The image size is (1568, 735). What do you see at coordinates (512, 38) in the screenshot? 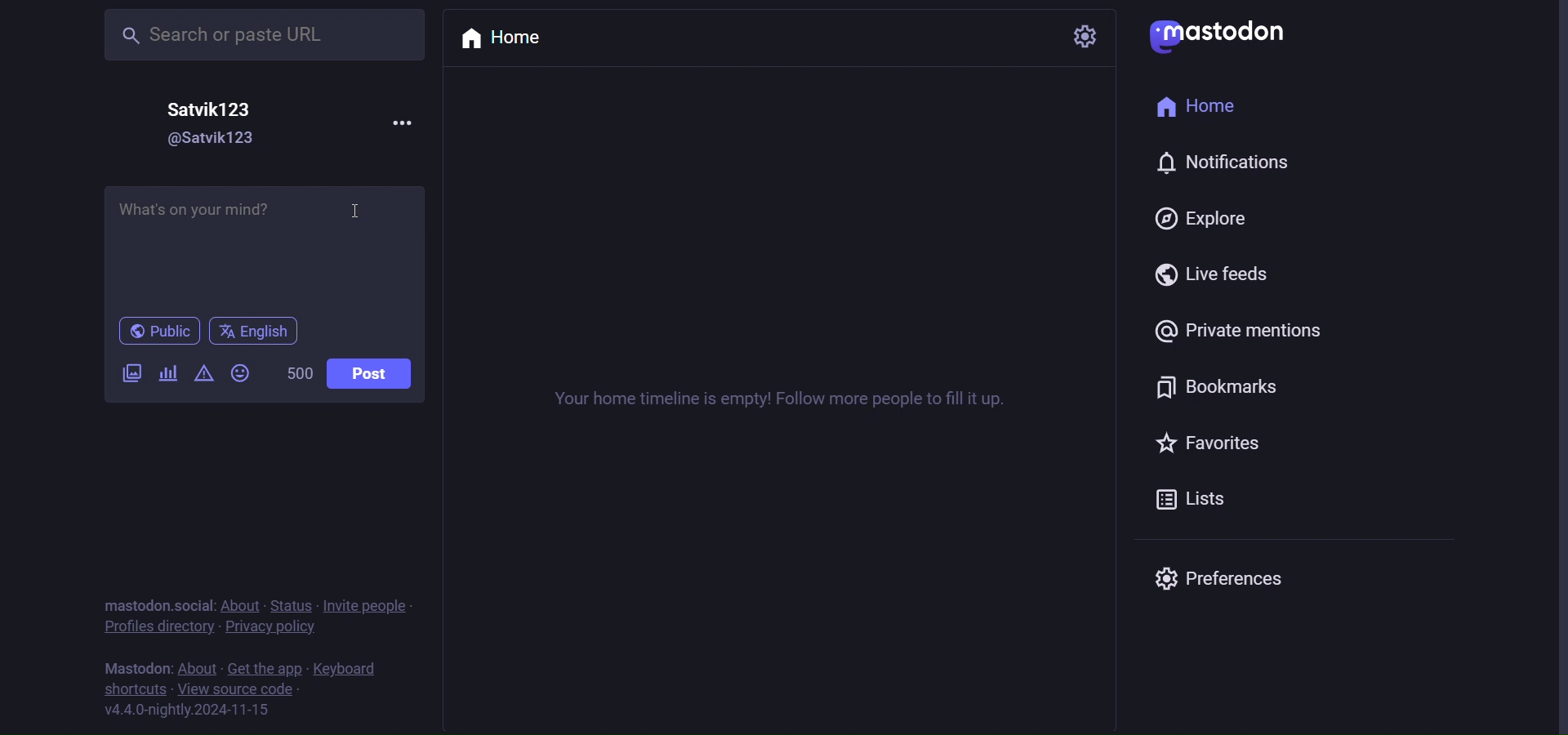
I see `home` at bounding box center [512, 38].